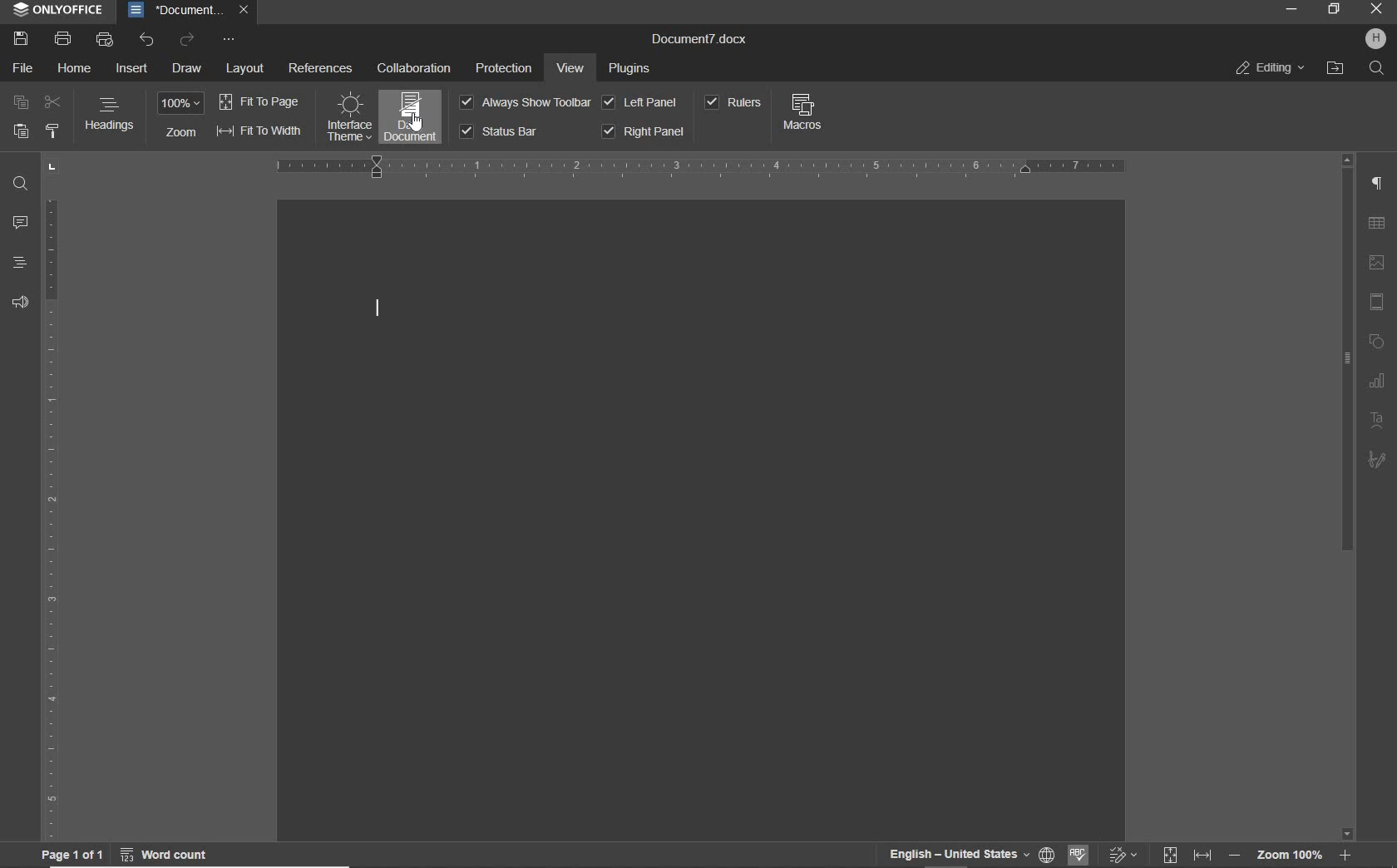 Image resolution: width=1397 pixels, height=868 pixels. I want to click on CUT, so click(56, 102).